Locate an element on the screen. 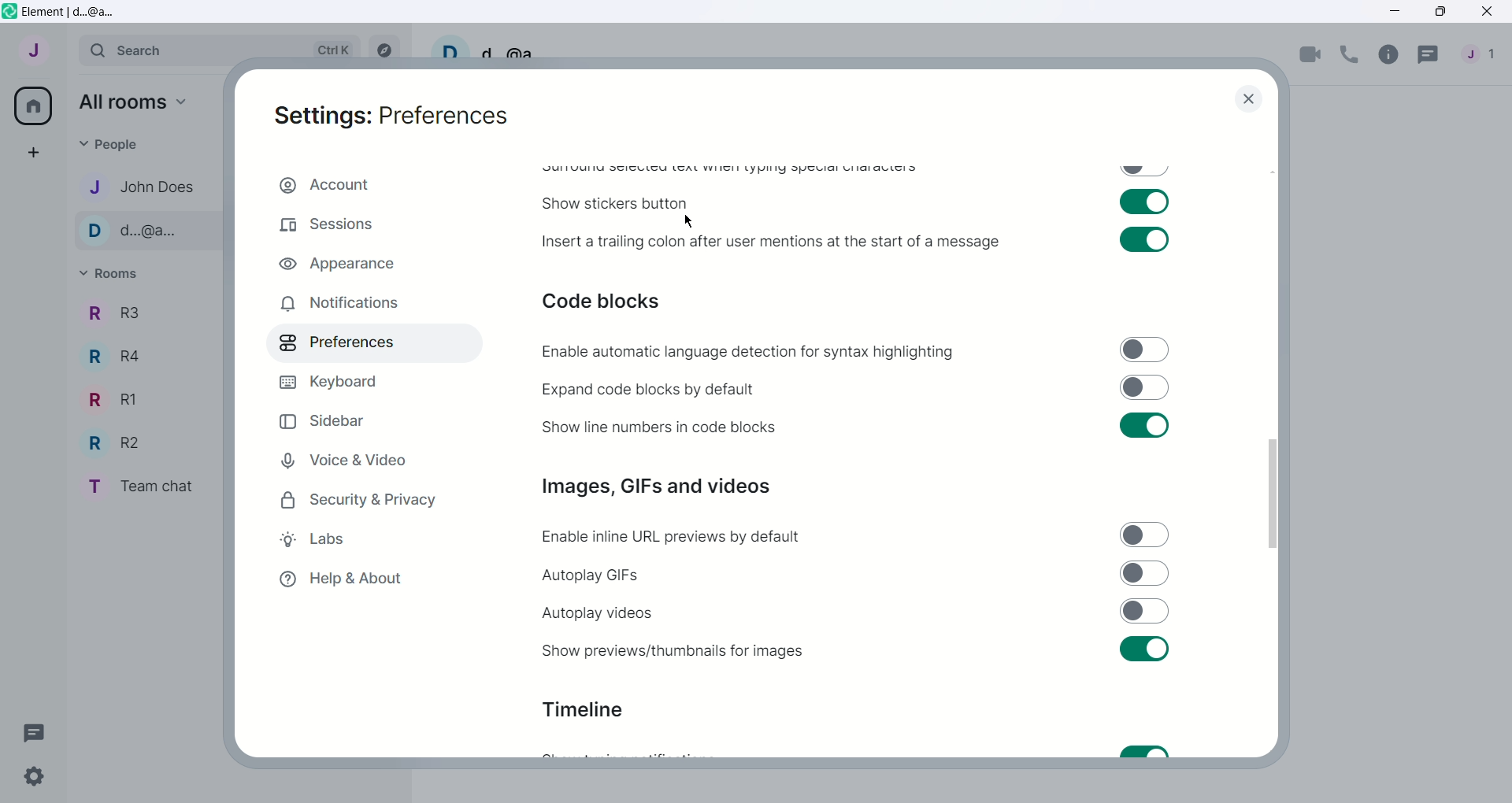 The width and height of the screenshot is (1512, 803). Vertical slide bar is located at coordinates (1273, 494).